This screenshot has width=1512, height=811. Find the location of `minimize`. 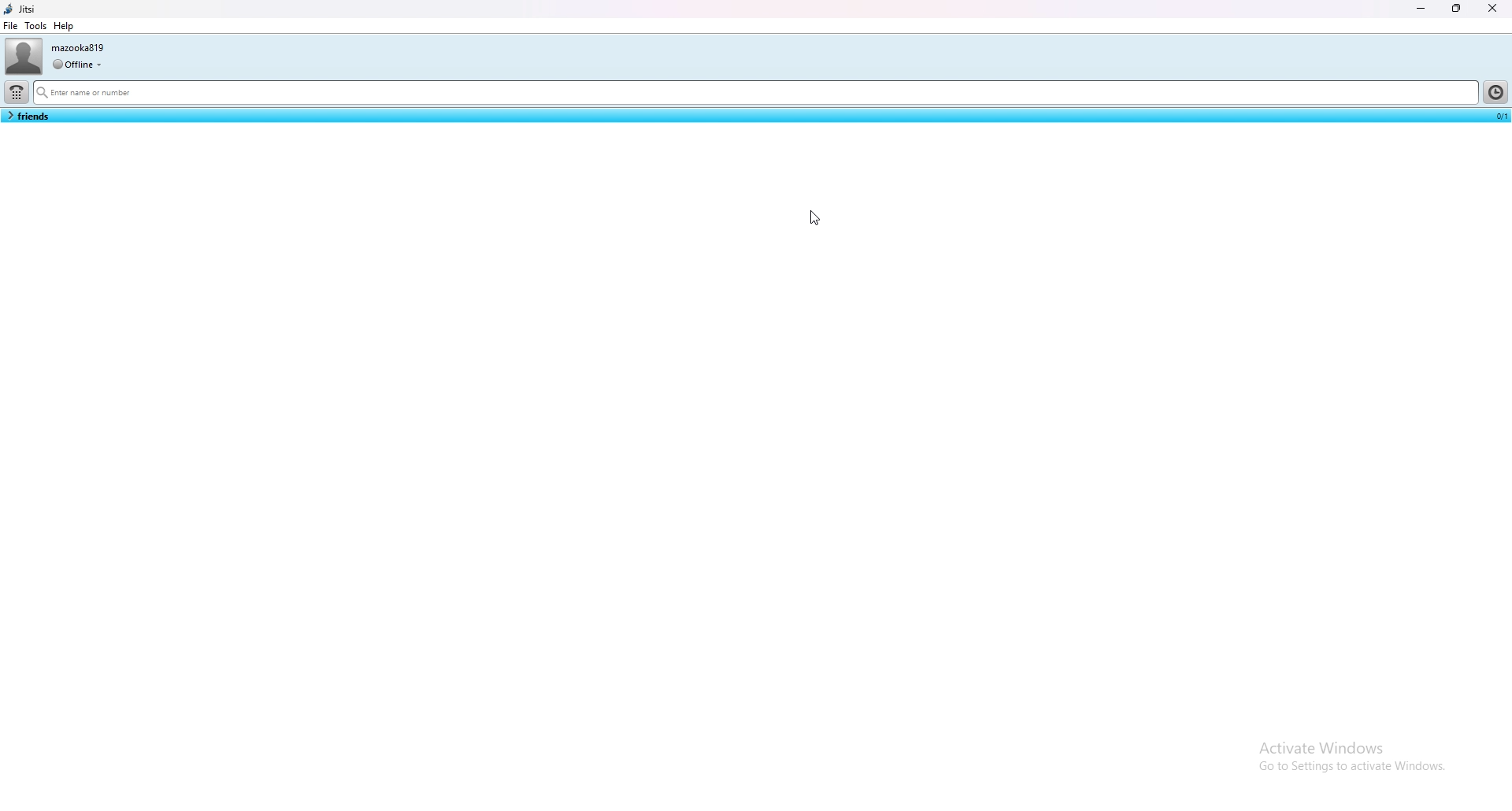

minimize is located at coordinates (1422, 8).